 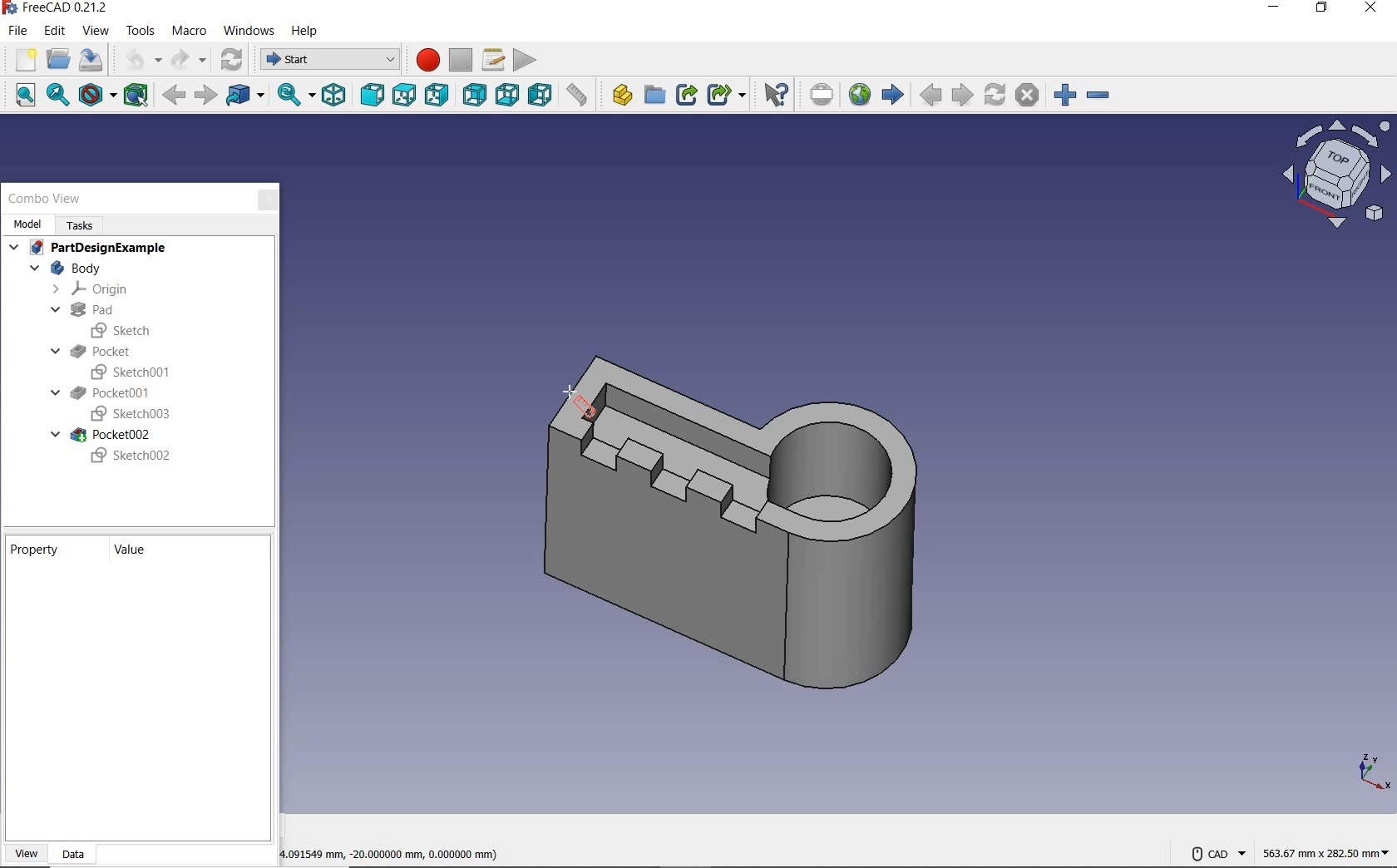 What do you see at coordinates (46, 199) in the screenshot?
I see `COMBO VIEW` at bounding box center [46, 199].